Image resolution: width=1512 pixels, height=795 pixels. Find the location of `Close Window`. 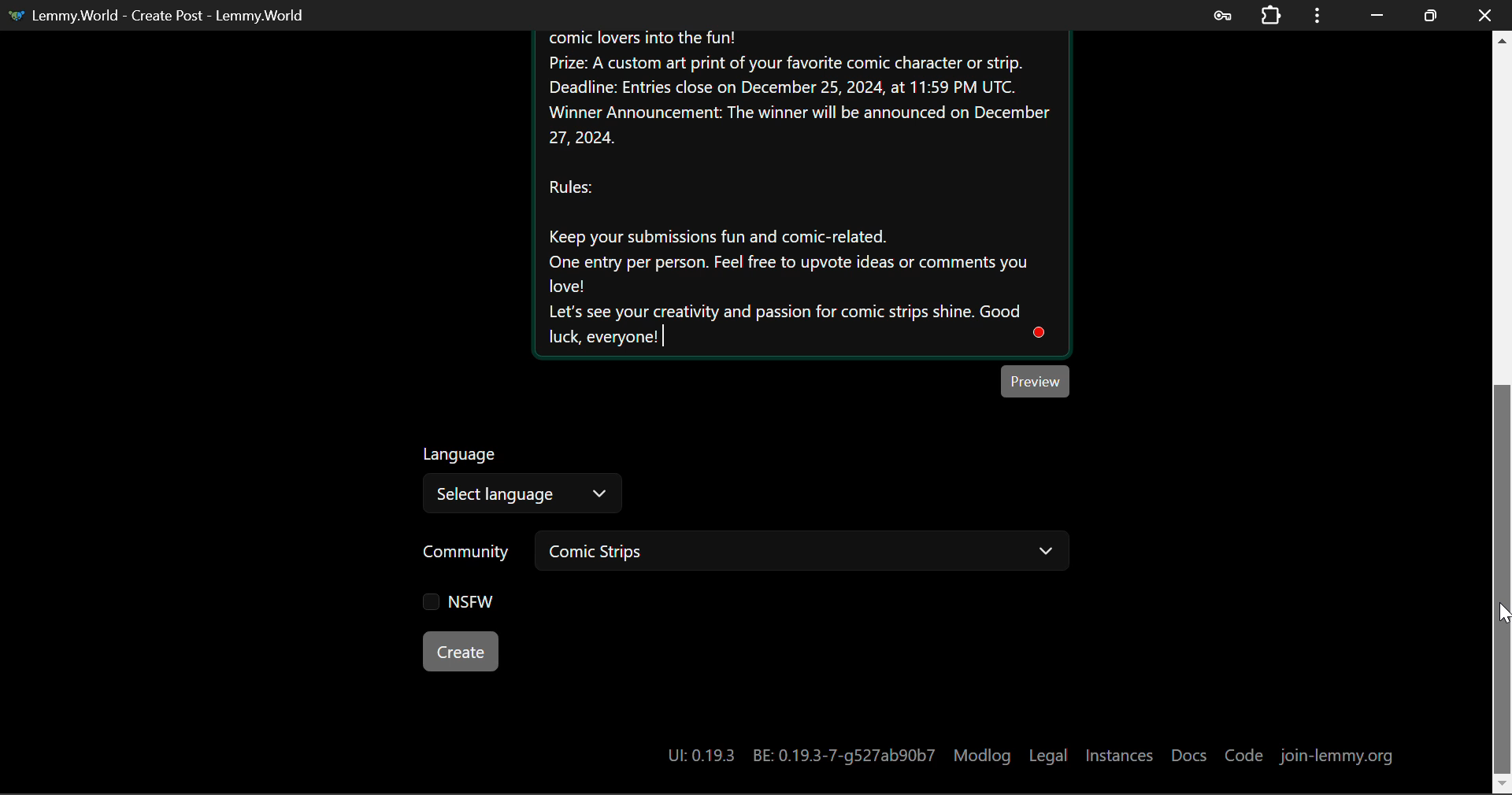

Close Window is located at coordinates (1484, 13).